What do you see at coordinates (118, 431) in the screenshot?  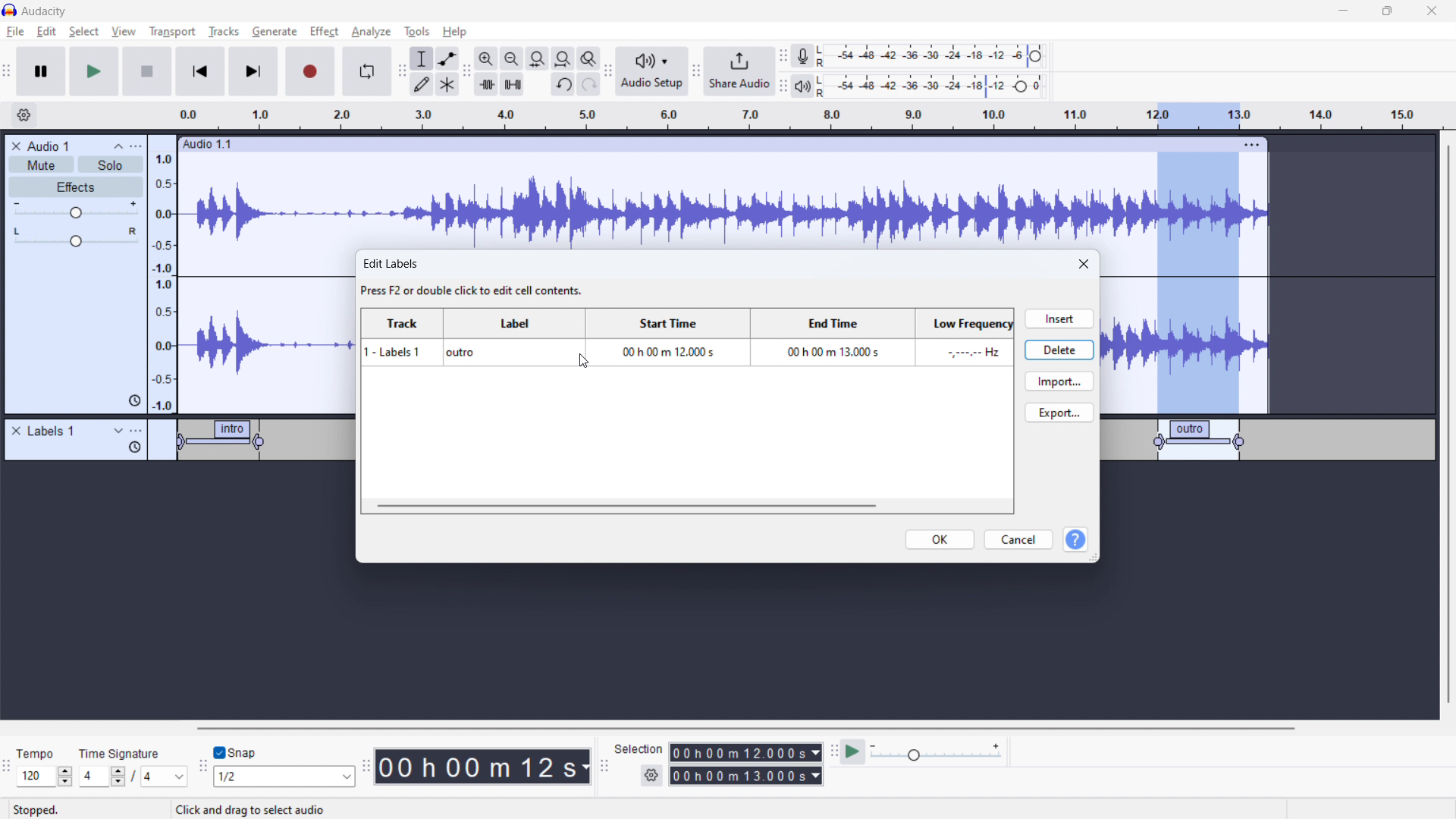 I see `expand` at bounding box center [118, 431].